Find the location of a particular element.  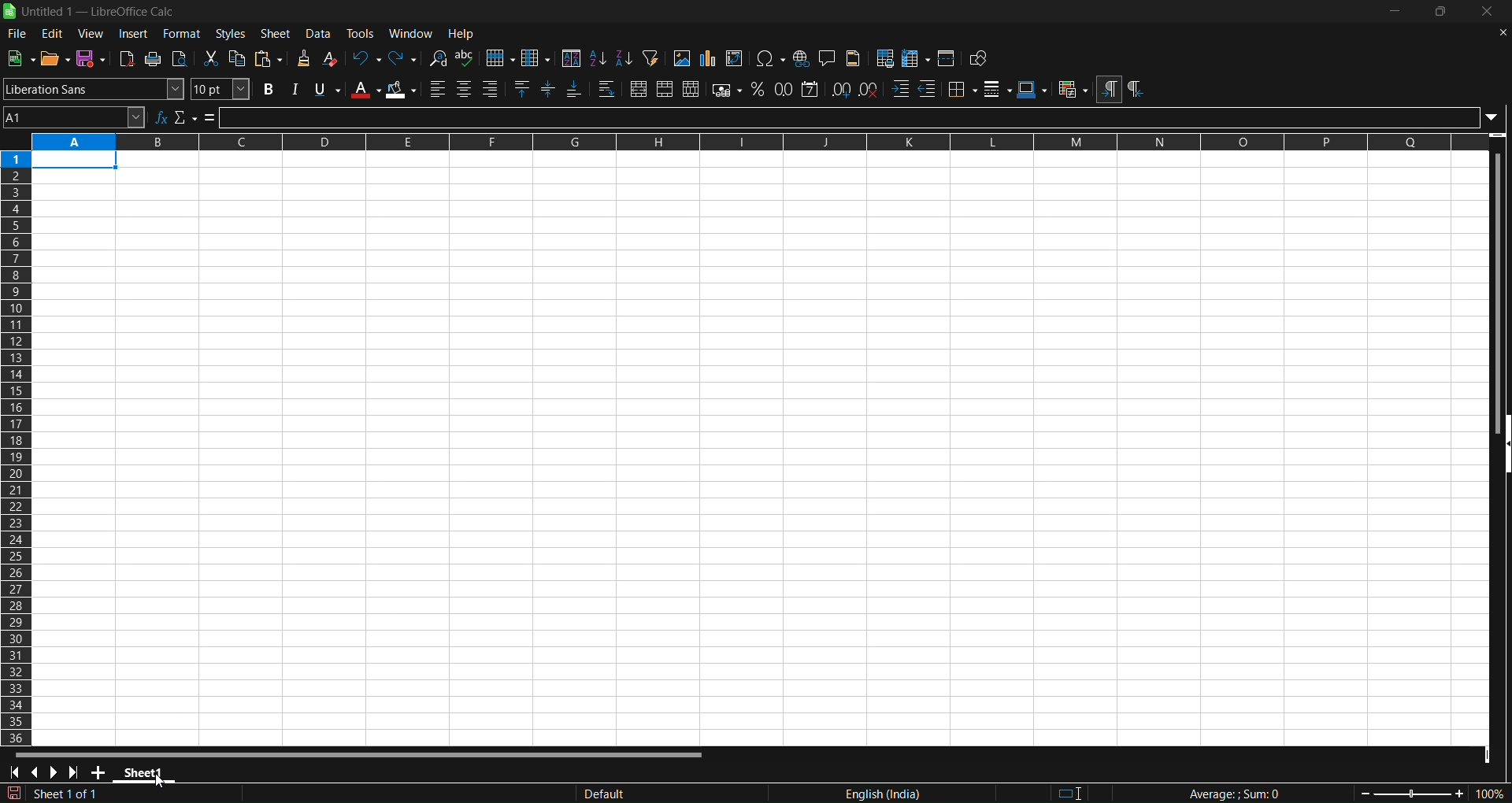

add new sheet is located at coordinates (100, 775).